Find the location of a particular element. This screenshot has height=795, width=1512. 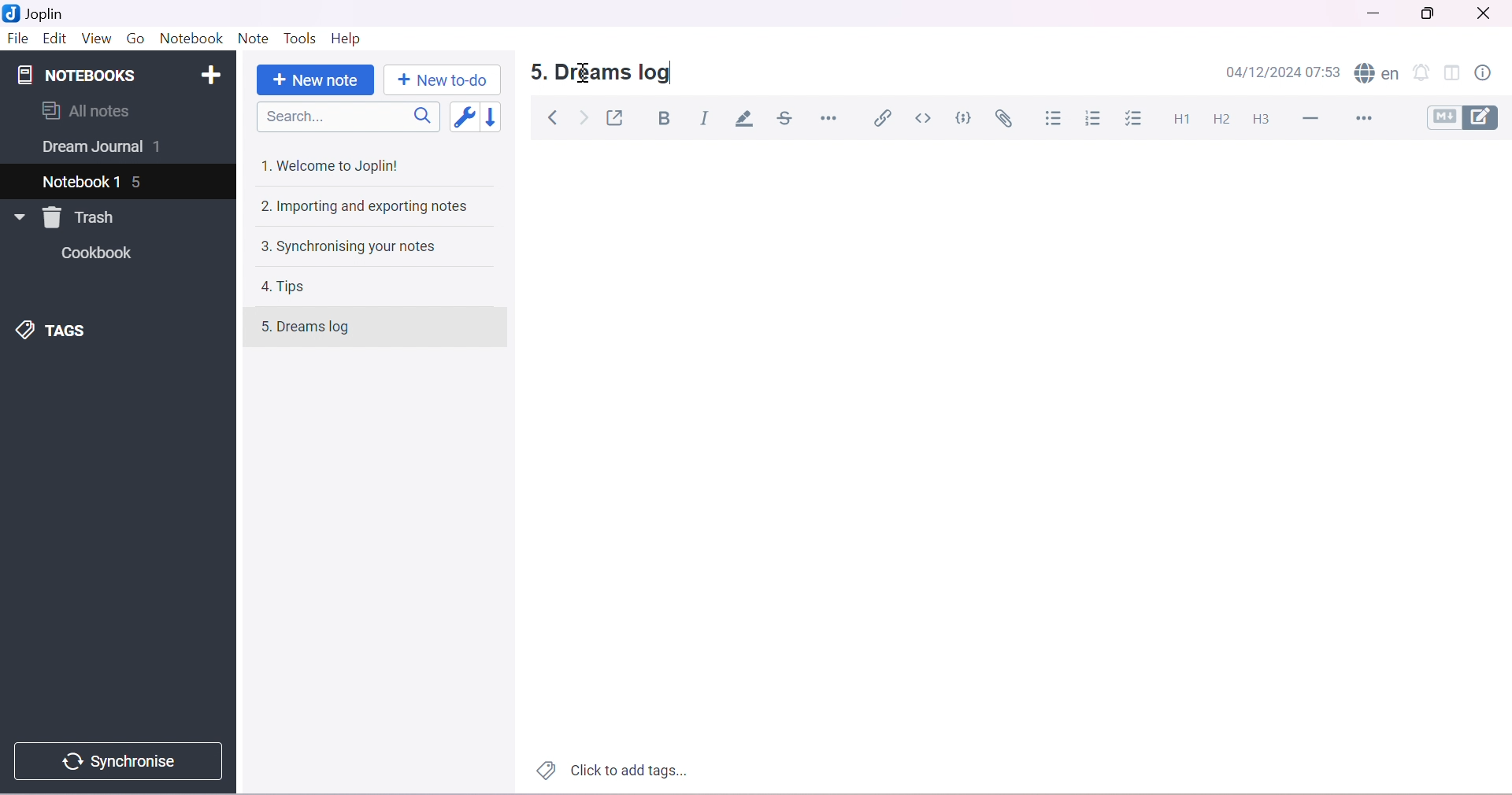

Heading 1 is located at coordinates (1184, 118).